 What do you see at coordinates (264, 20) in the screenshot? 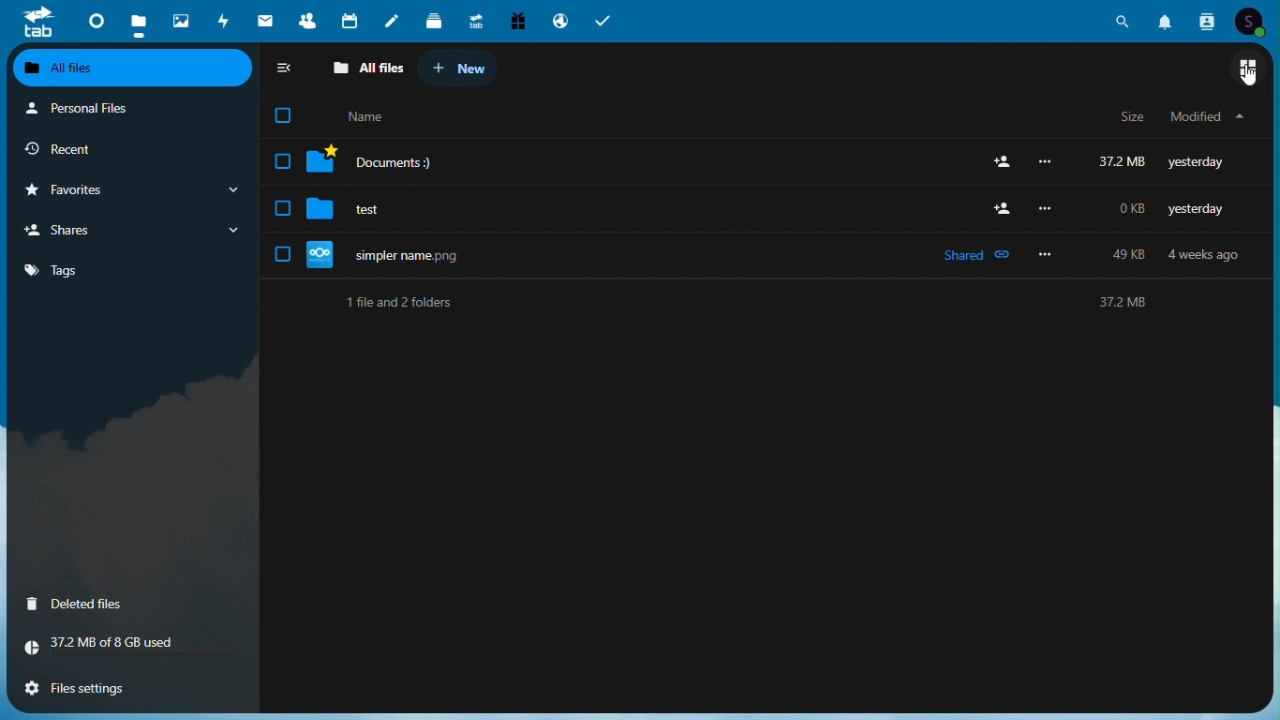
I see `mail` at bounding box center [264, 20].